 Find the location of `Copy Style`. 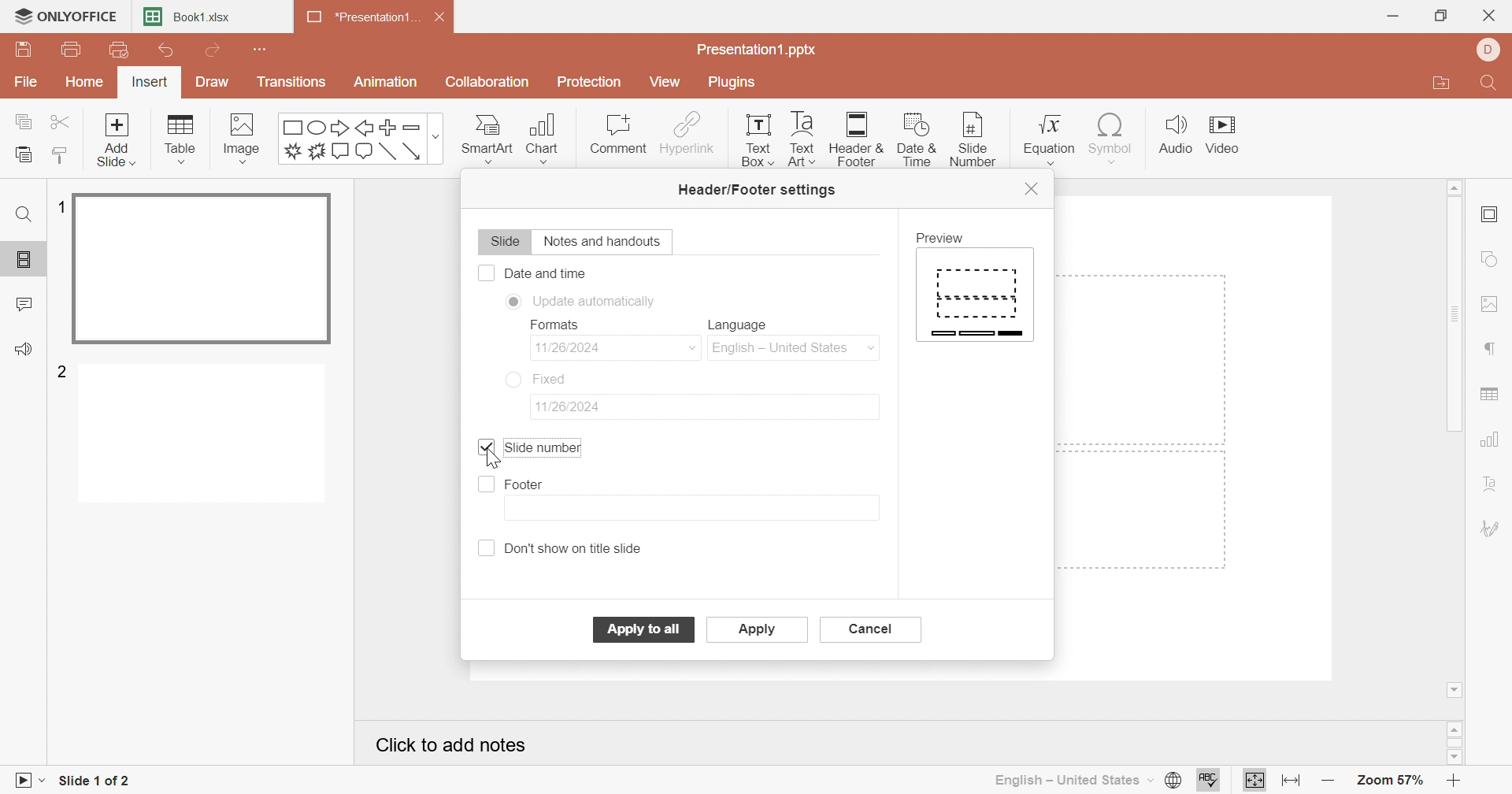

Copy Style is located at coordinates (61, 155).